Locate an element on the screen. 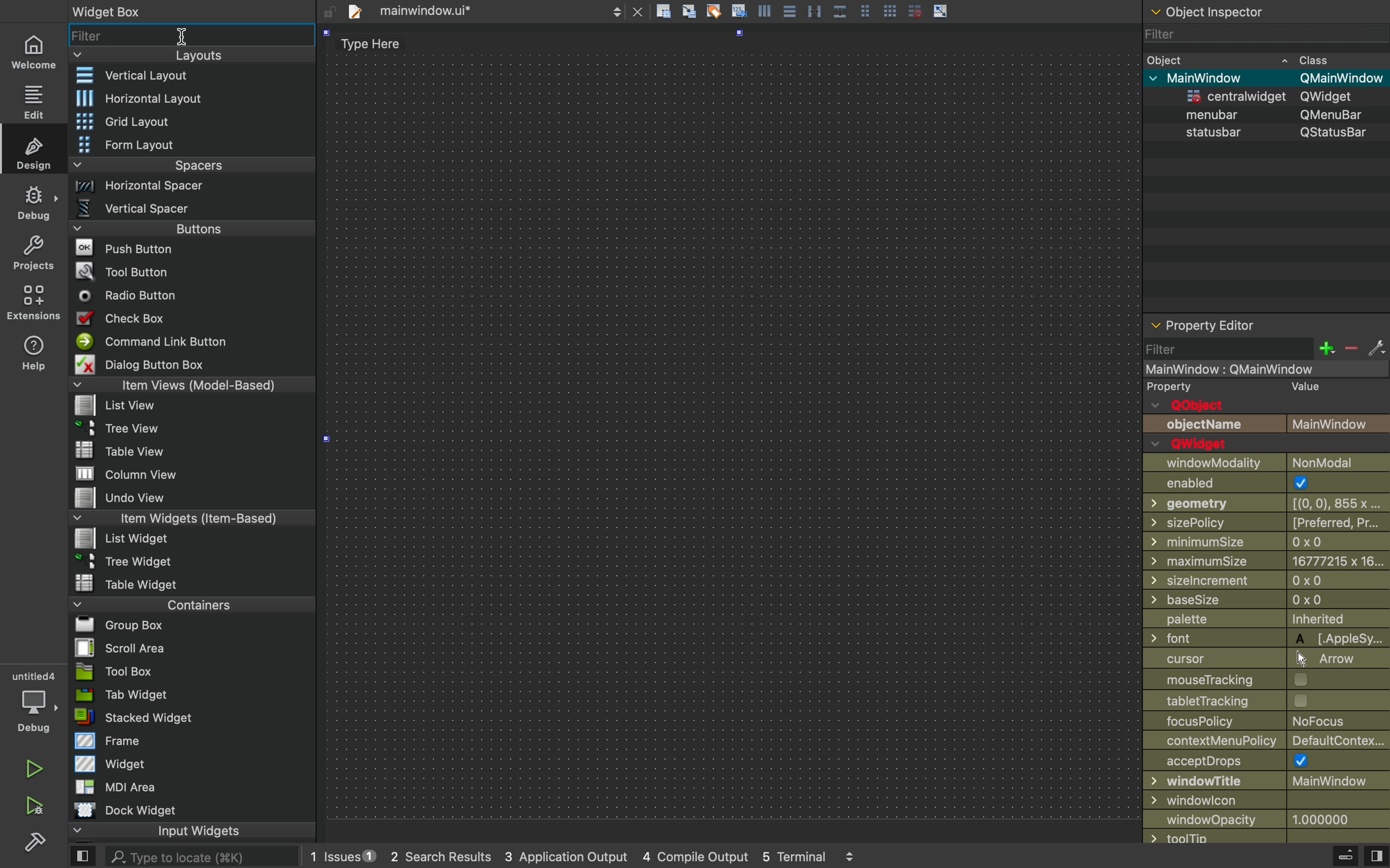 This screenshot has height=868, width=1390. icon is located at coordinates (766, 10).